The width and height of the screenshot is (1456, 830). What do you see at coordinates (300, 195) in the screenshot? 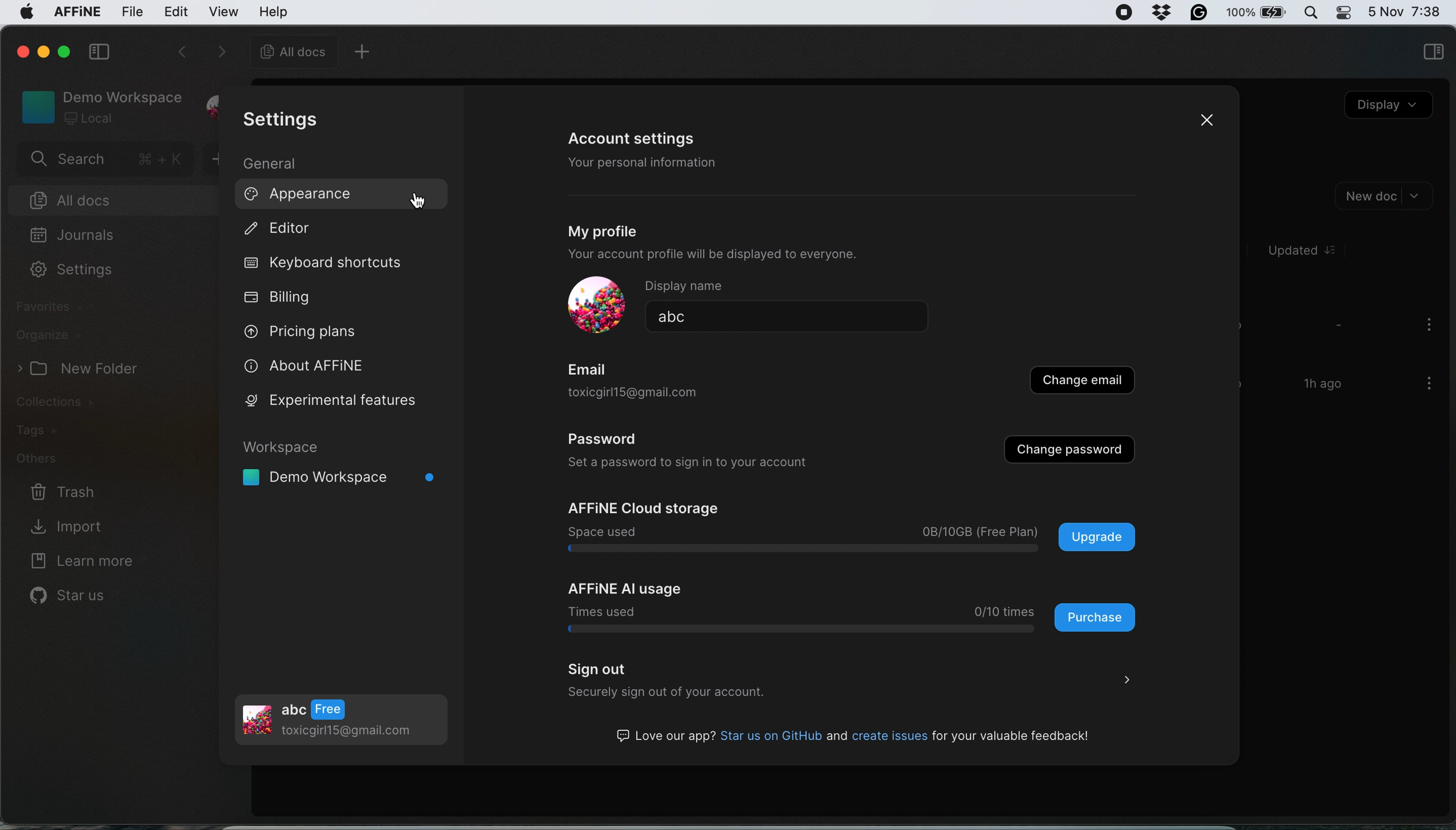
I see `appearance` at bounding box center [300, 195].